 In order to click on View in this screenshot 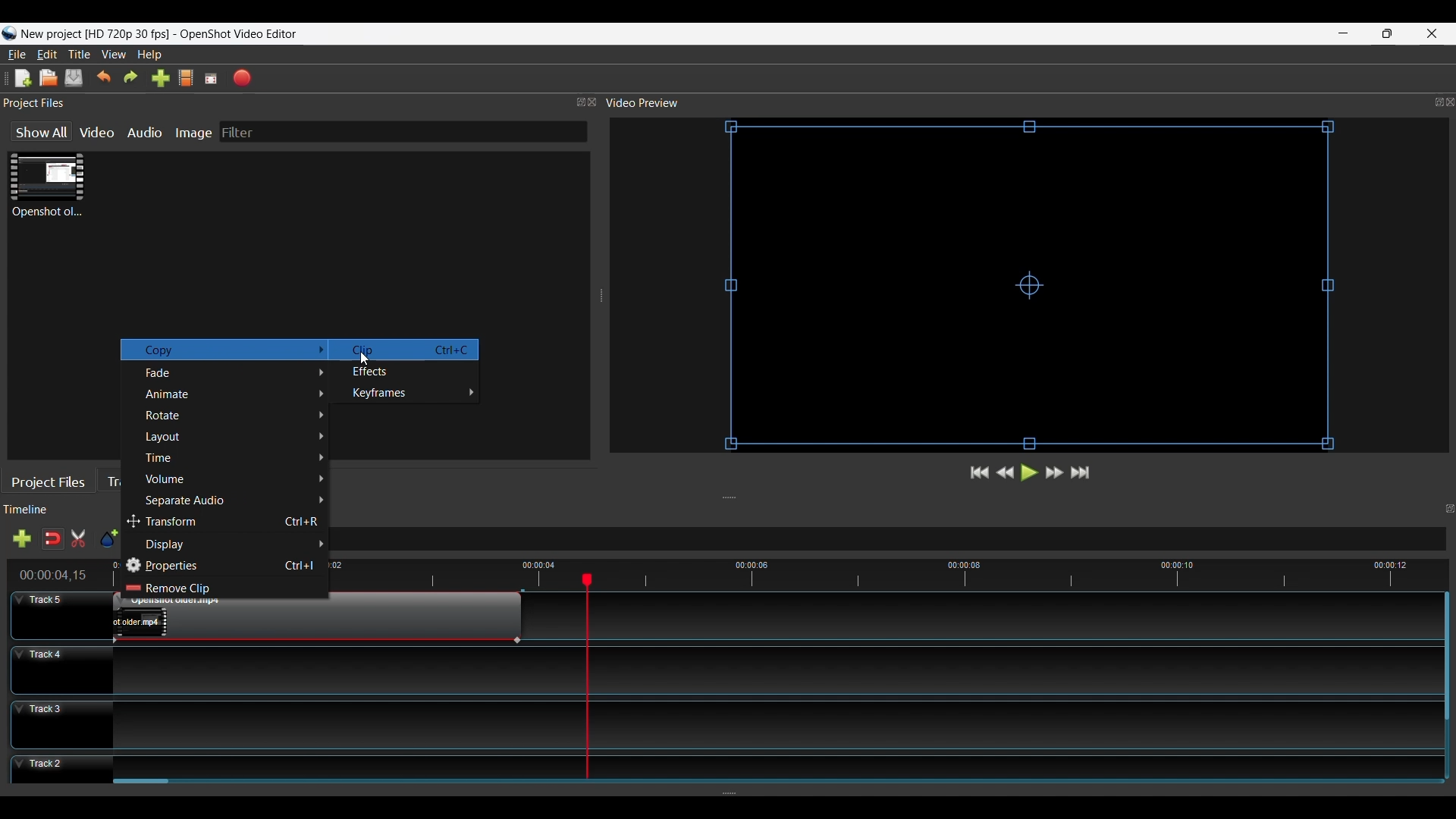, I will do `click(115, 55)`.